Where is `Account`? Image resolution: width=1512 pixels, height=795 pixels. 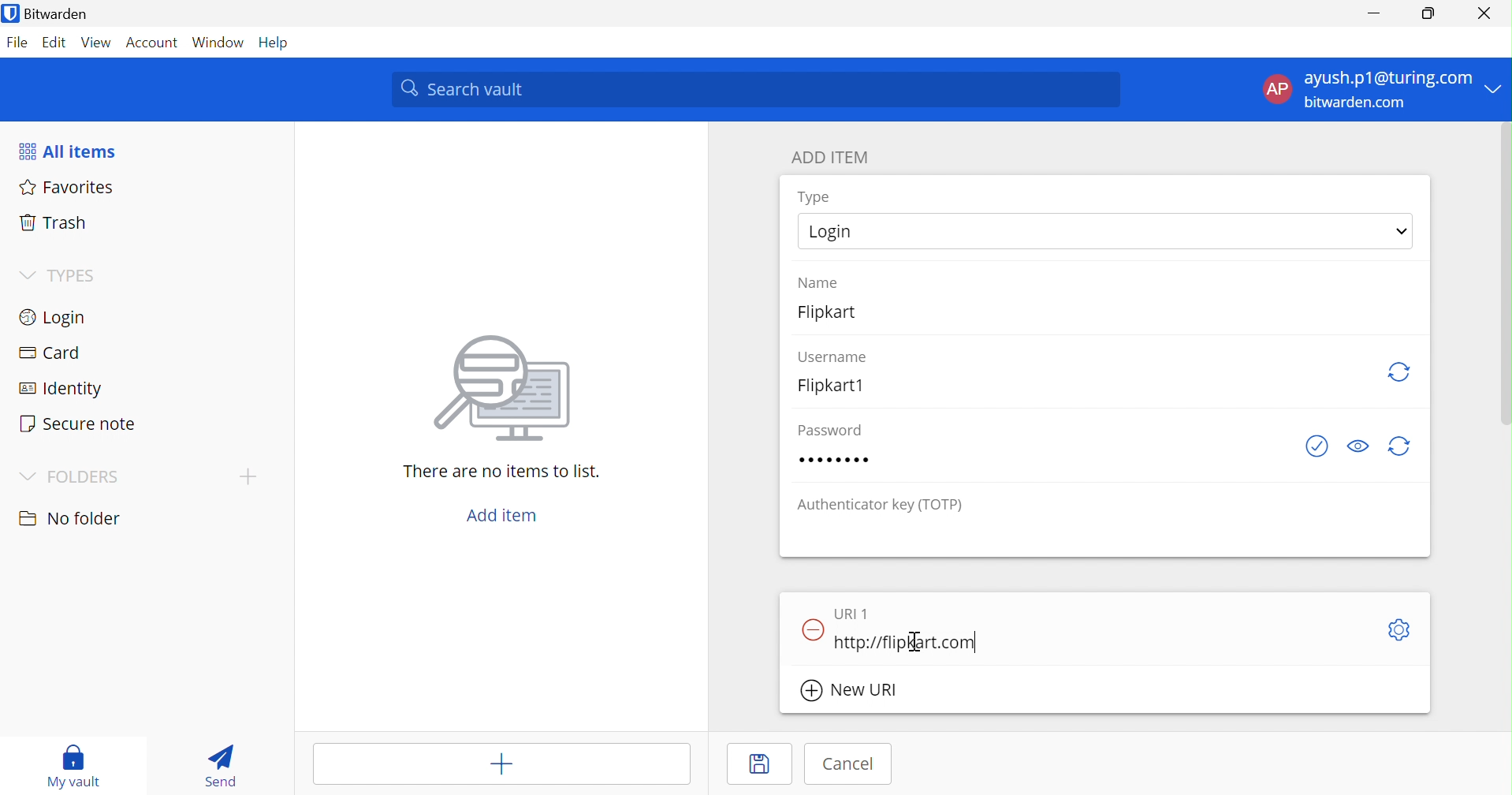
Account is located at coordinates (153, 43).